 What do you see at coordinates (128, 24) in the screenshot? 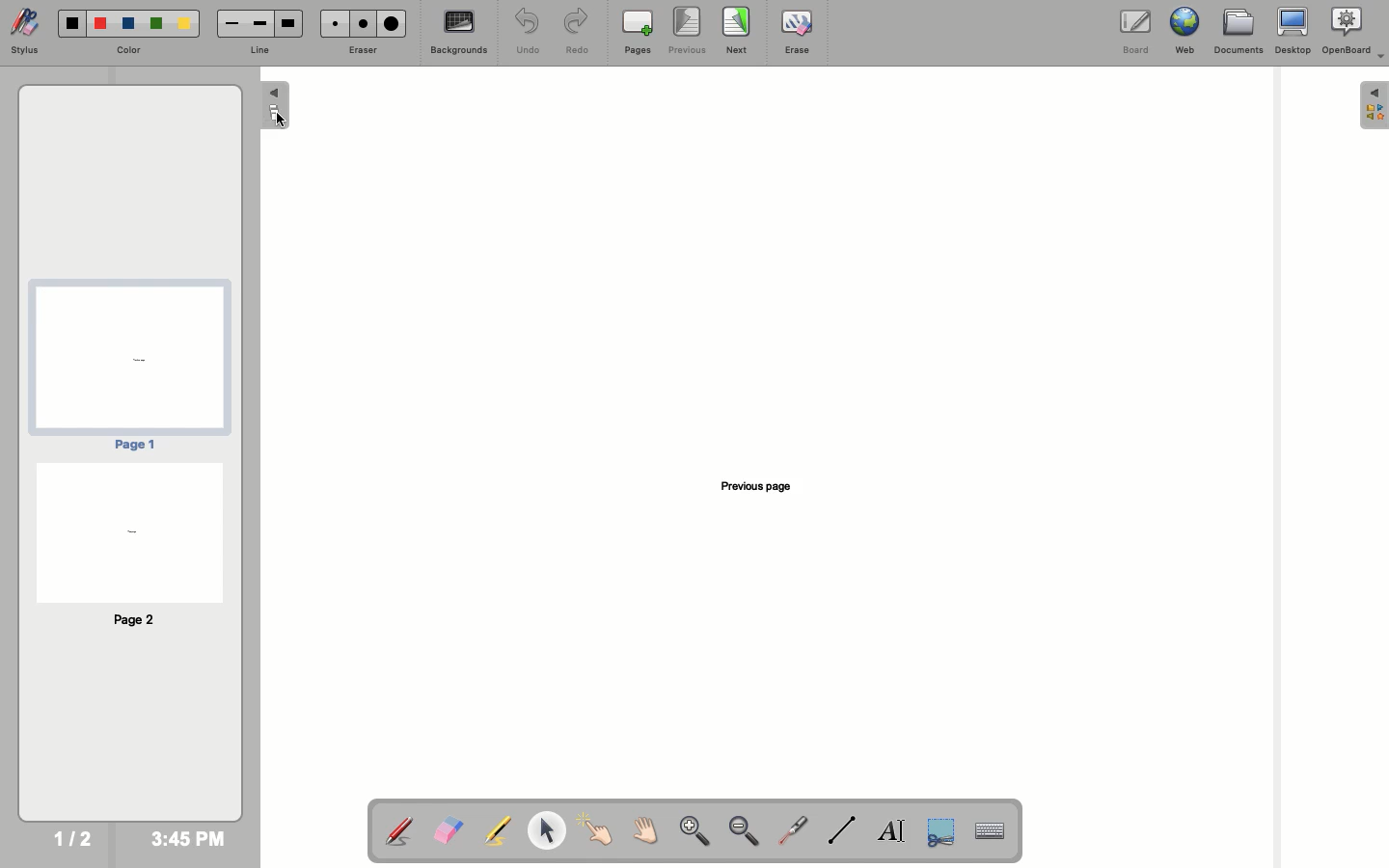
I see `Color 3` at bounding box center [128, 24].